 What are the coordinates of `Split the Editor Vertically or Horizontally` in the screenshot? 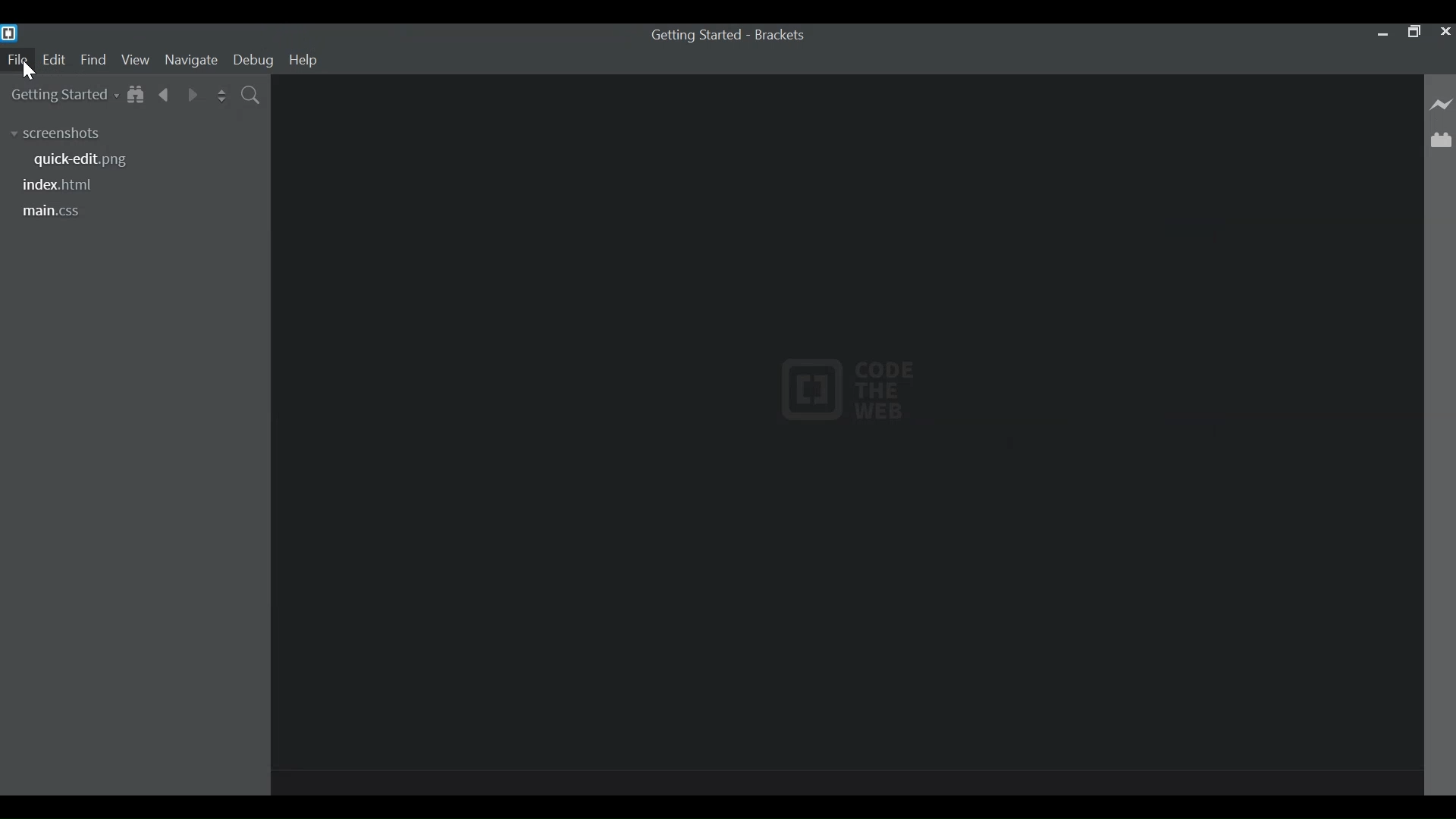 It's located at (220, 95).